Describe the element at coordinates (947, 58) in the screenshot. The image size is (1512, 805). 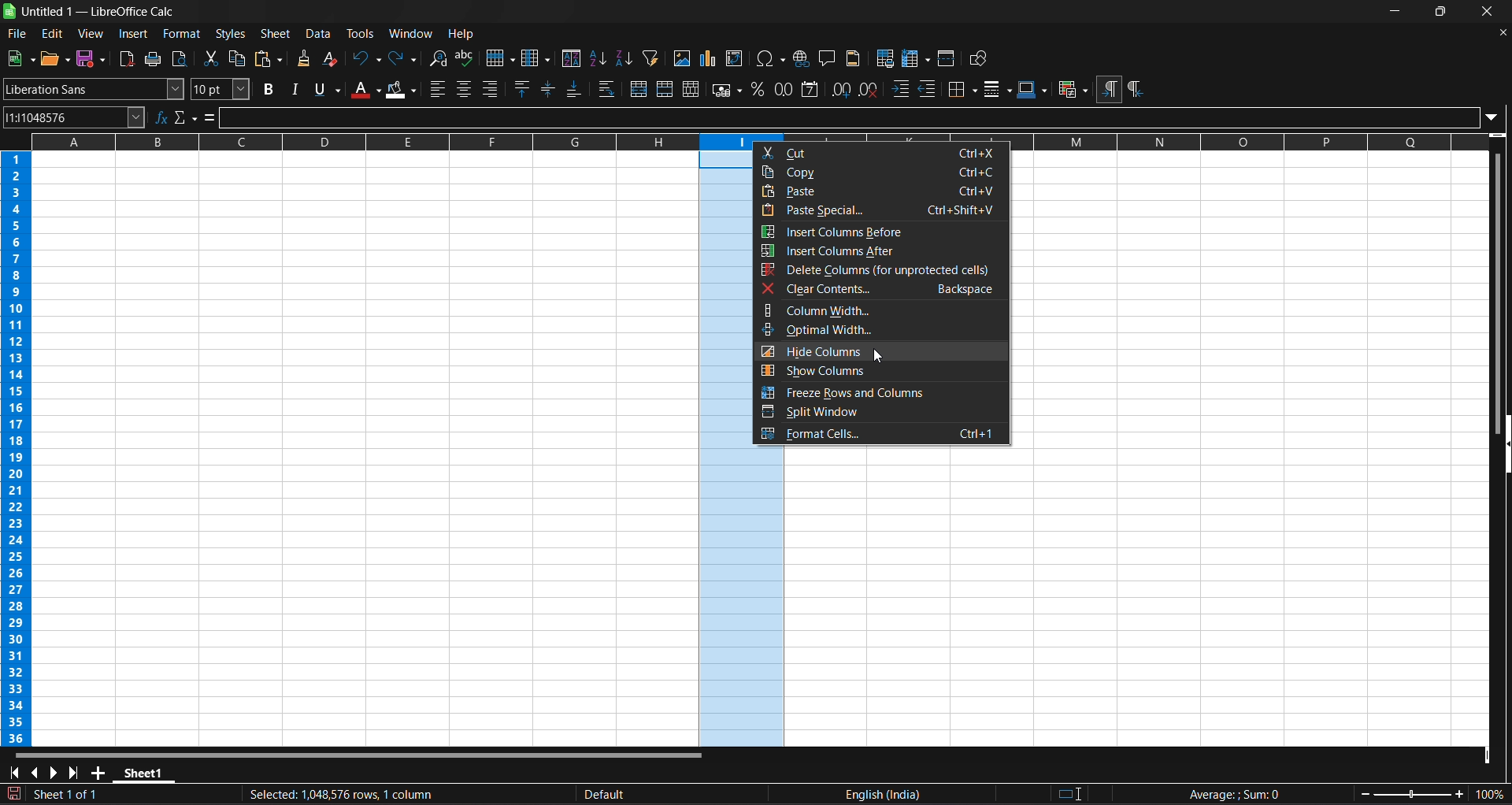
I see `split window` at that location.